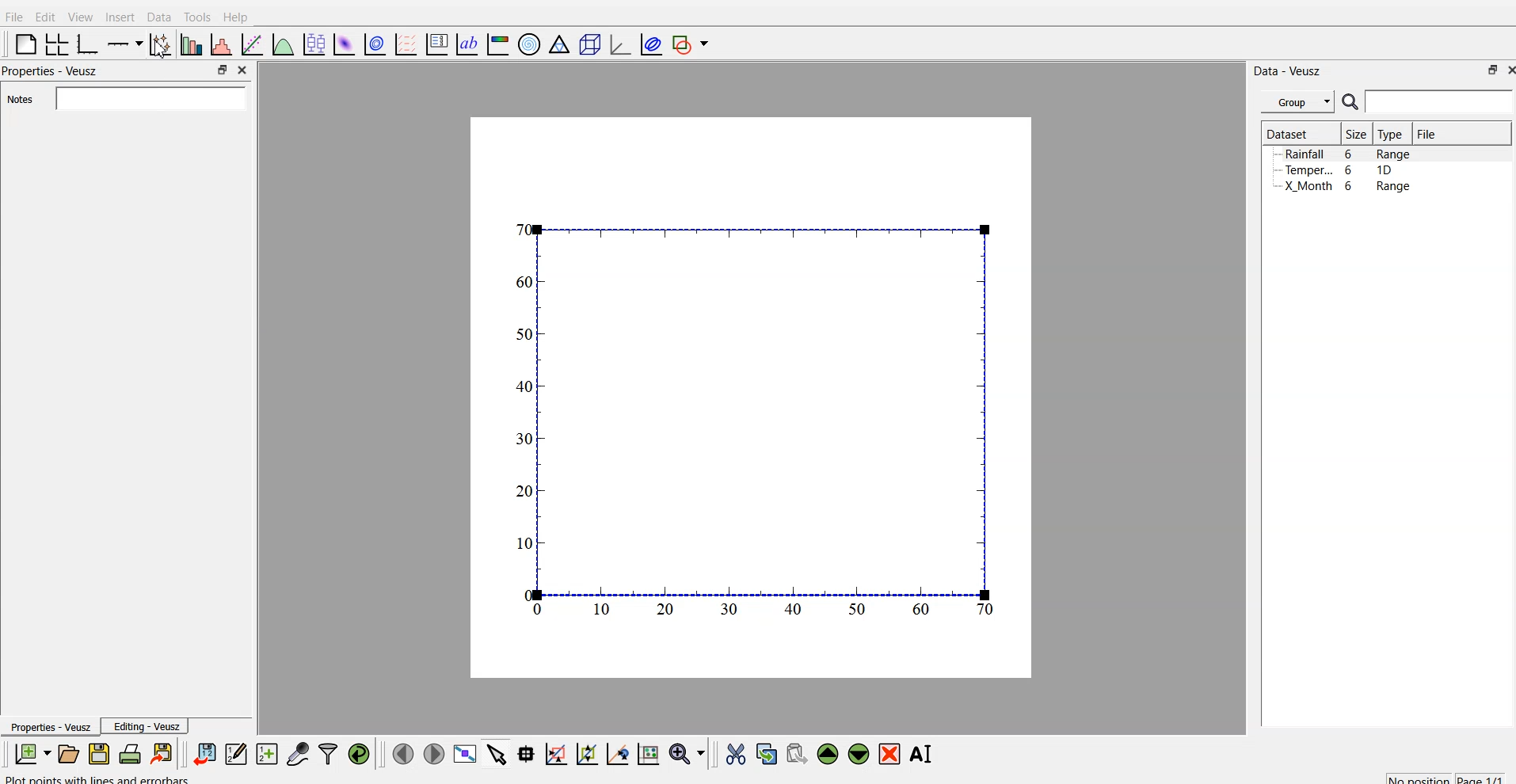  I want to click on reload linked dataset, so click(358, 752).